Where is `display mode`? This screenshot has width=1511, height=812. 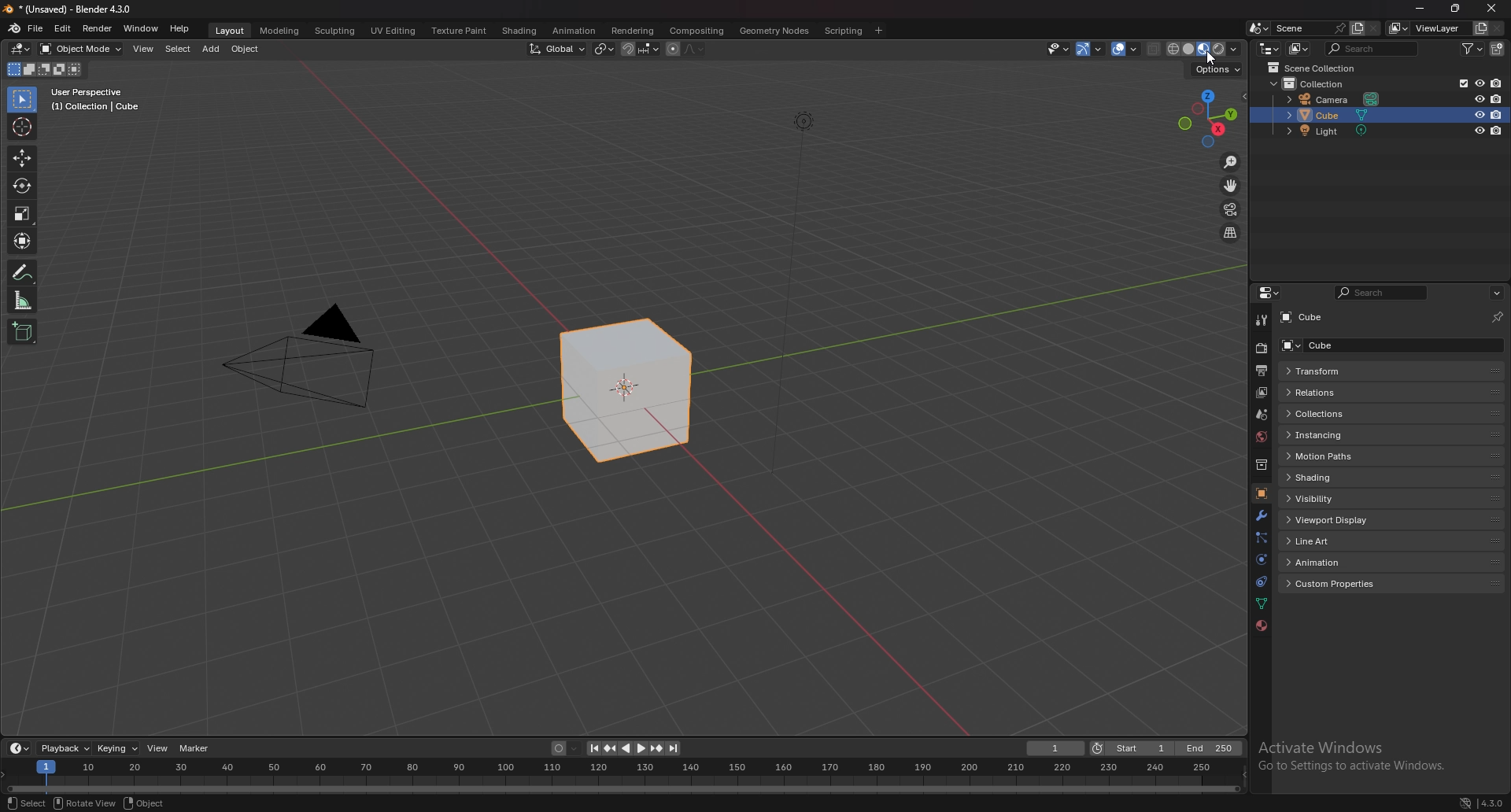 display mode is located at coordinates (1299, 48).